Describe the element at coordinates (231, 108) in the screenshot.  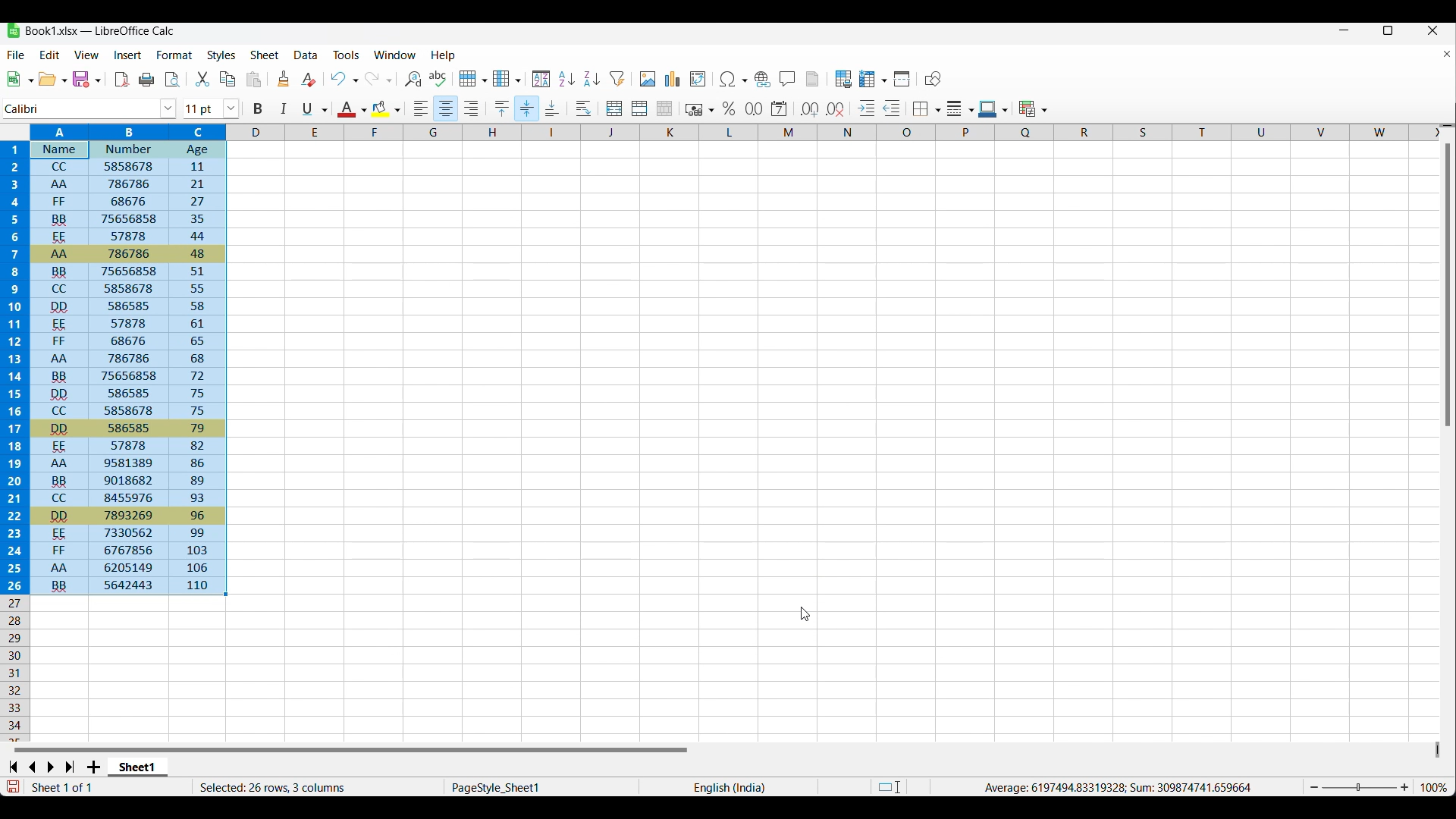
I see `Font size options` at that location.